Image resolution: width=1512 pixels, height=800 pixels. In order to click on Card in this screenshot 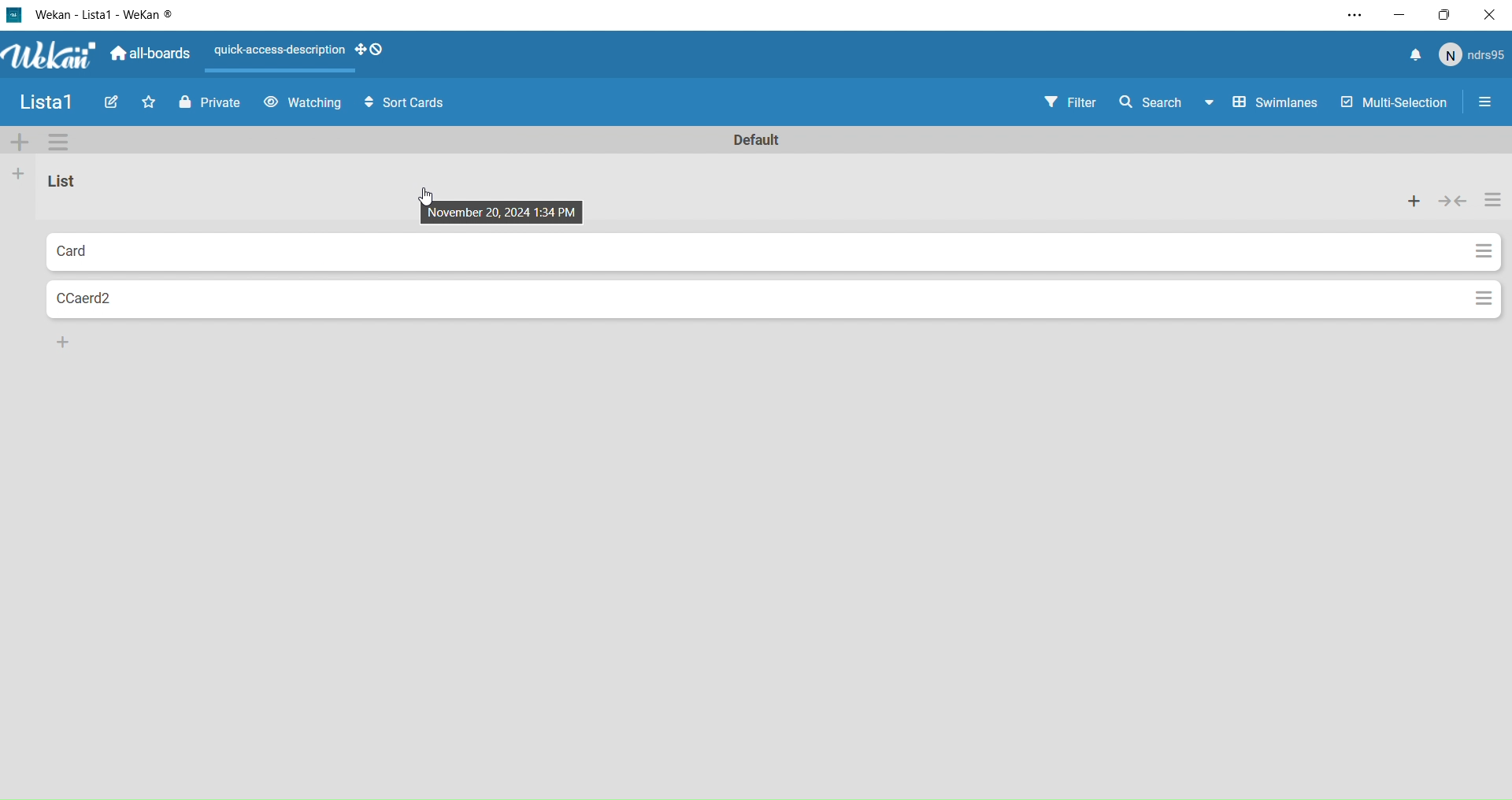, I will do `click(140, 250)`.